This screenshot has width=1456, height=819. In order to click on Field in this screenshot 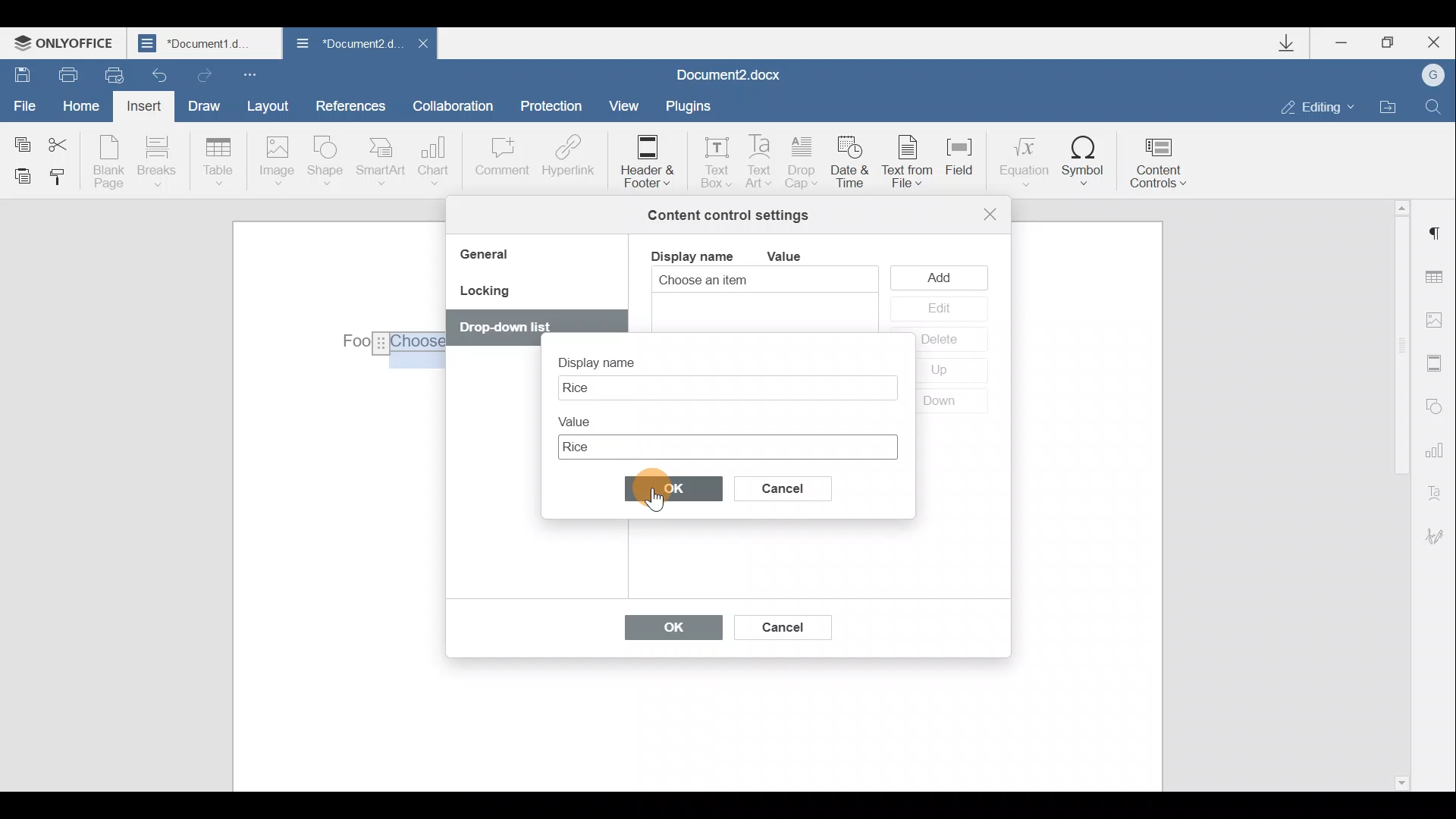, I will do `click(966, 166)`.